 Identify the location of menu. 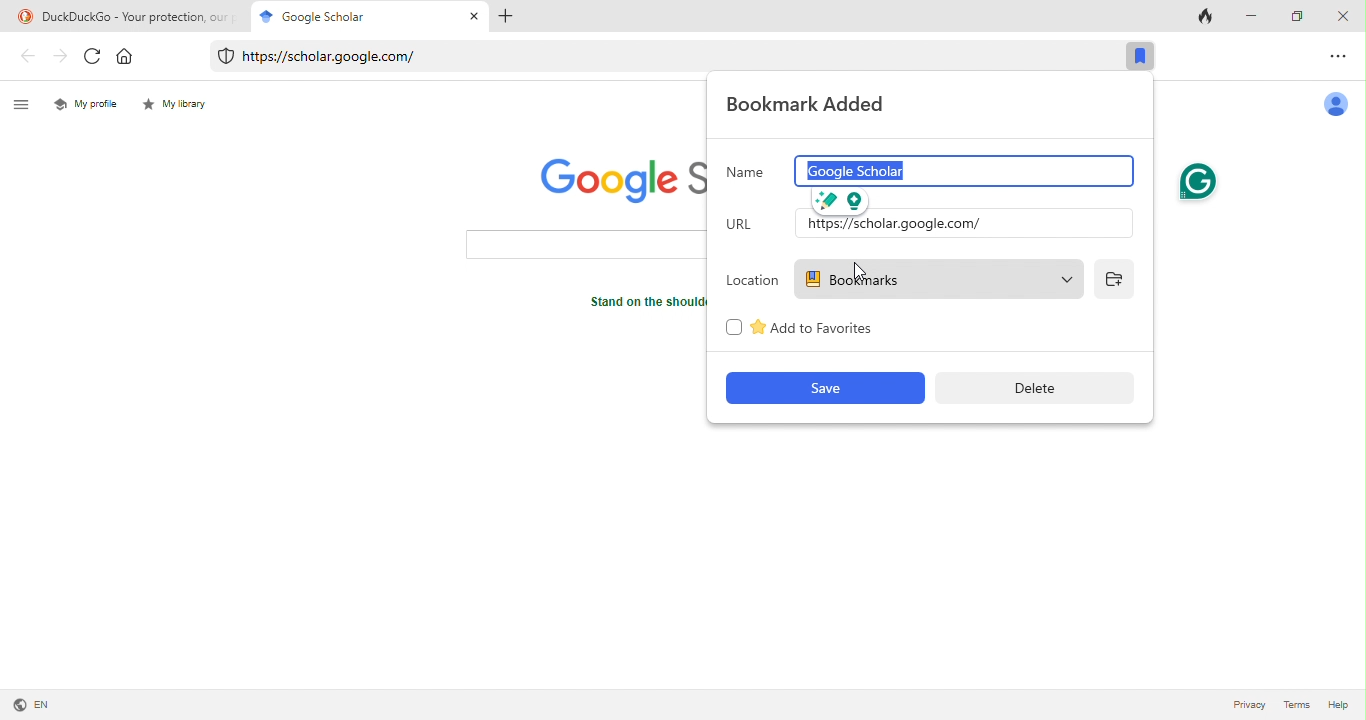
(25, 104).